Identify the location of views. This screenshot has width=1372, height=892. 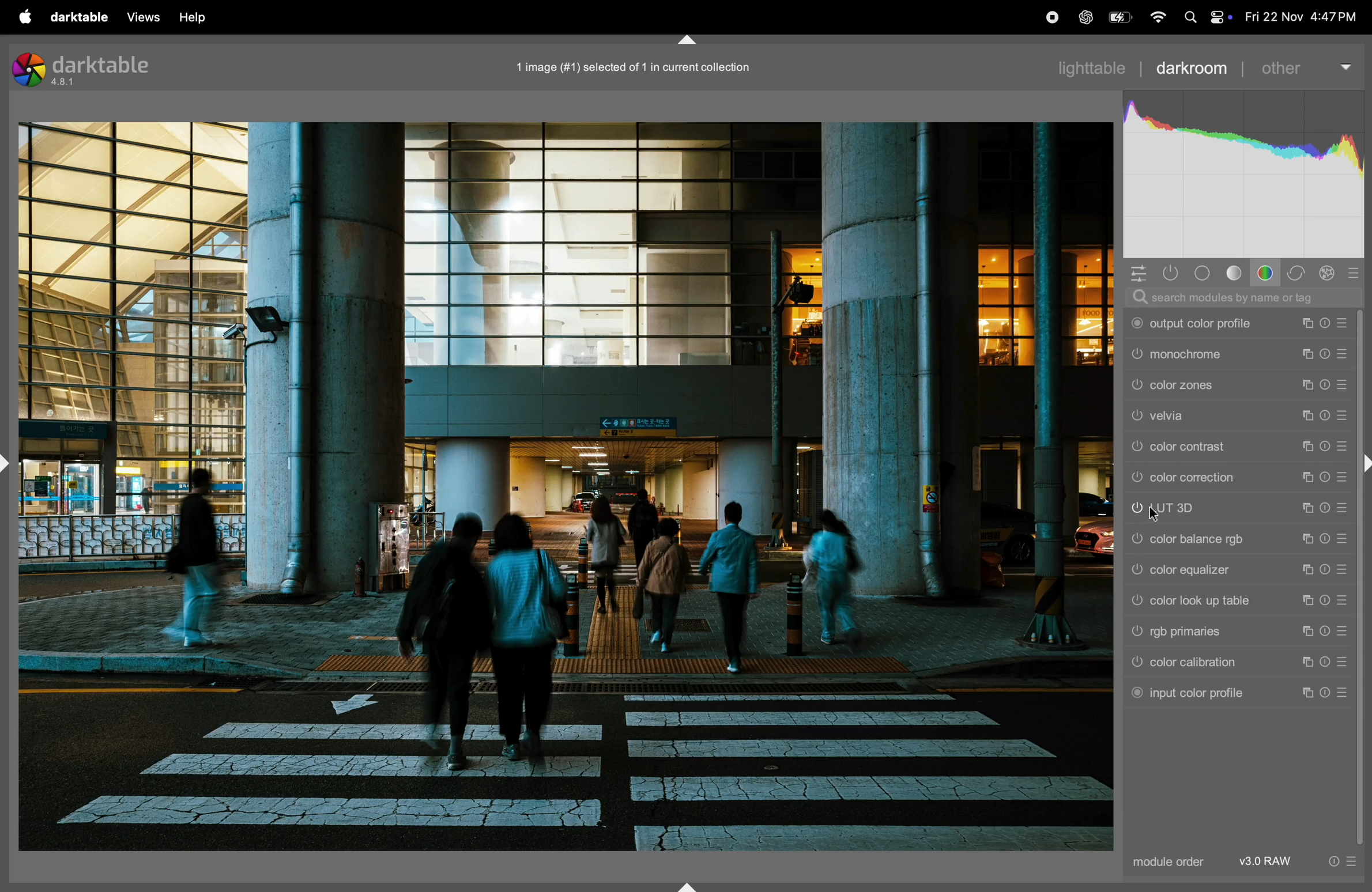
(144, 17).